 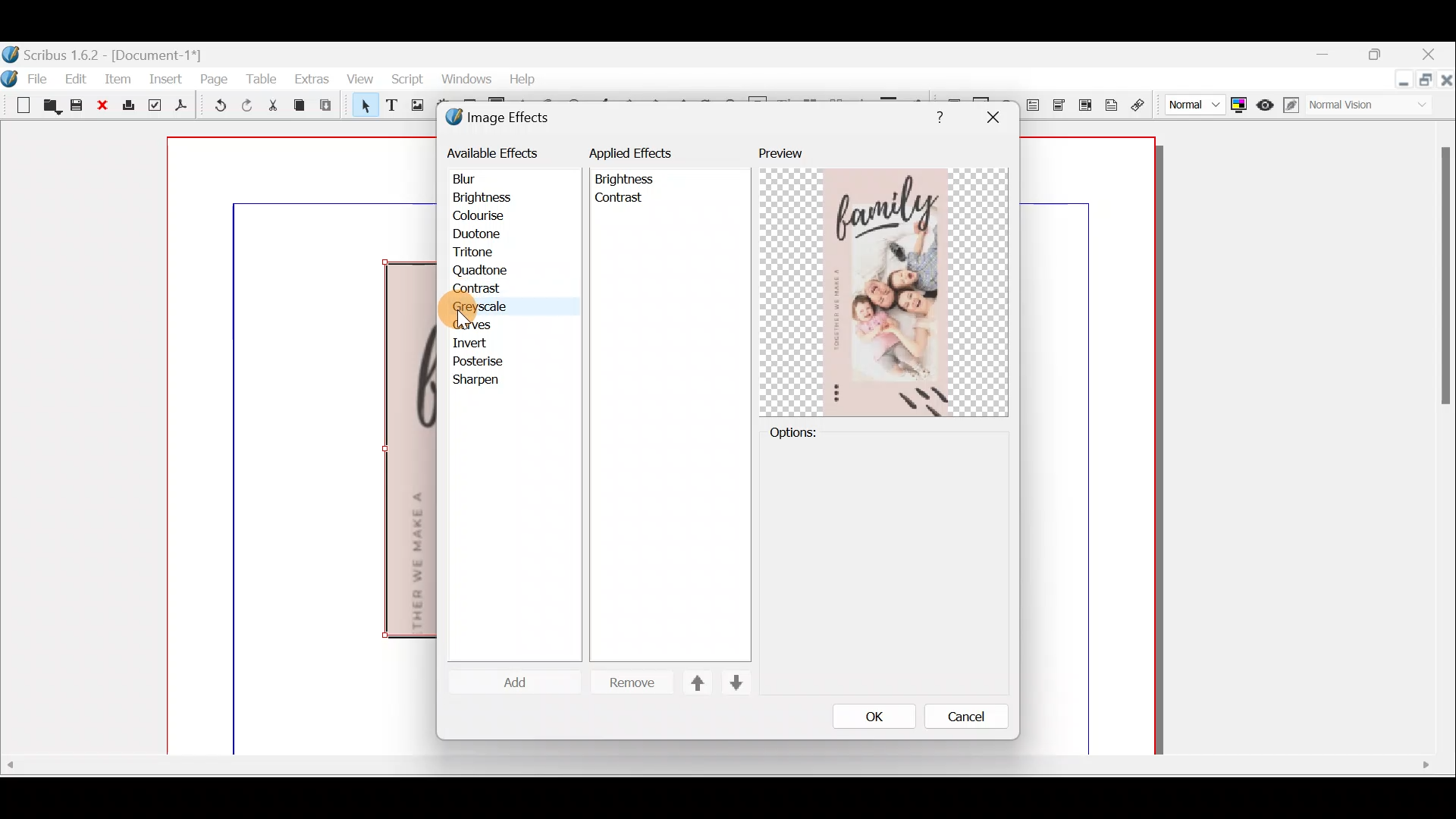 I want to click on Save, so click(x=75, y=105).